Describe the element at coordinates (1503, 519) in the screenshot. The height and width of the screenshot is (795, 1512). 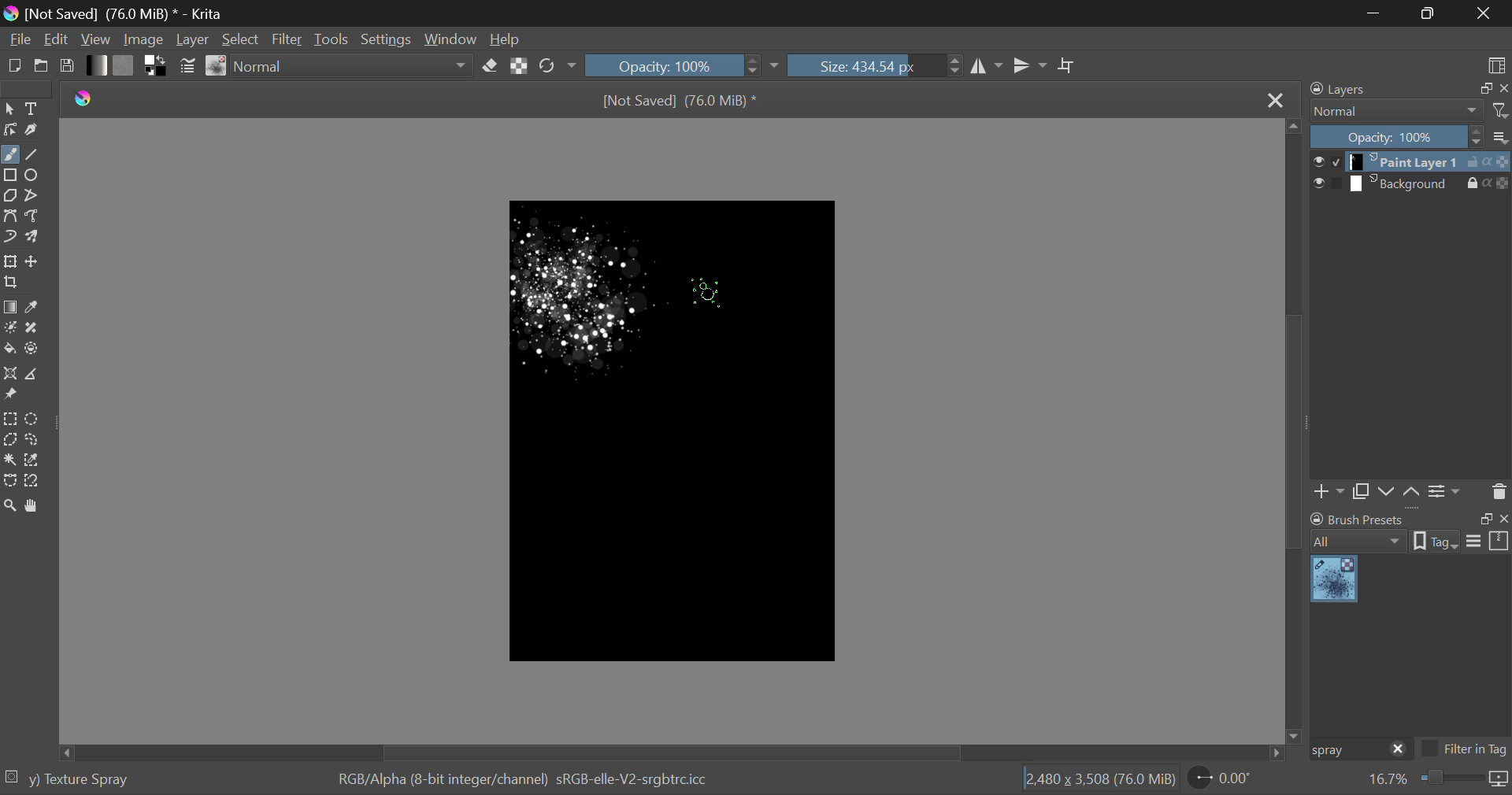
I see `close` at that location.